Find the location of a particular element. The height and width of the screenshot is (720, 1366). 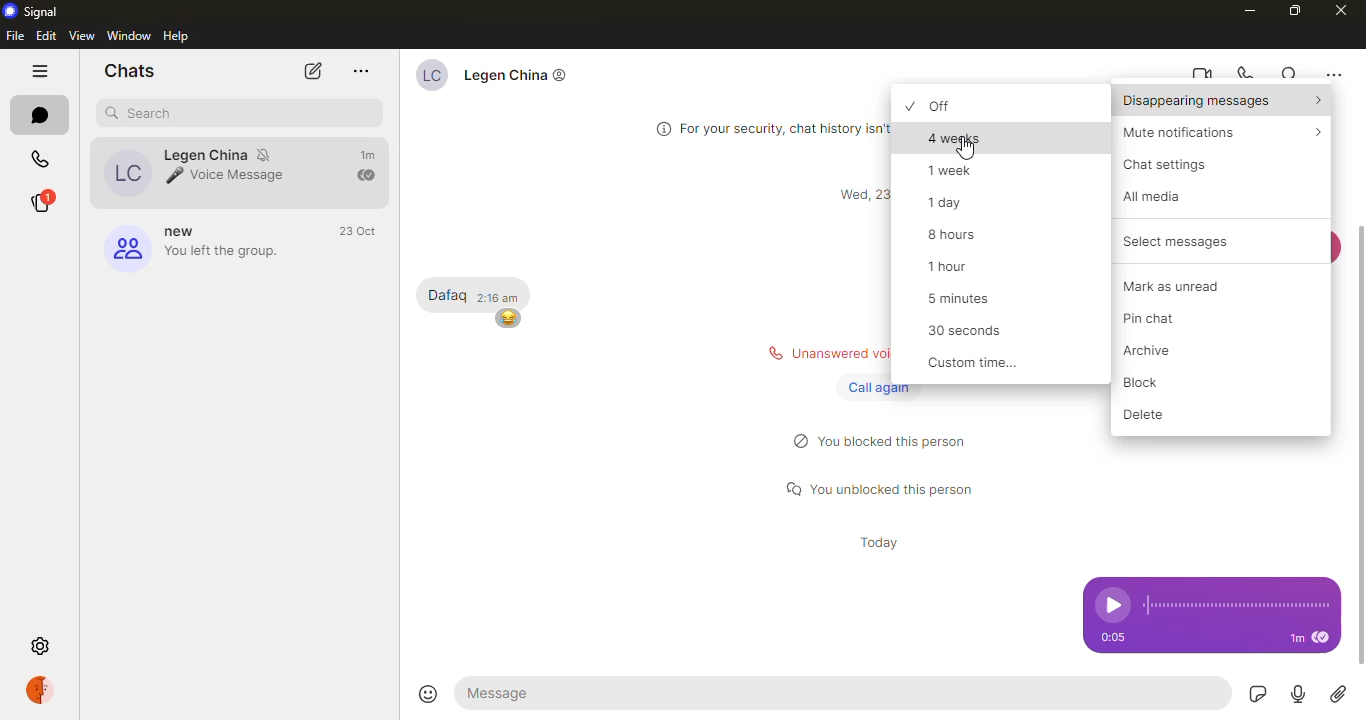

30 sec is located at coordinates (971, 333).